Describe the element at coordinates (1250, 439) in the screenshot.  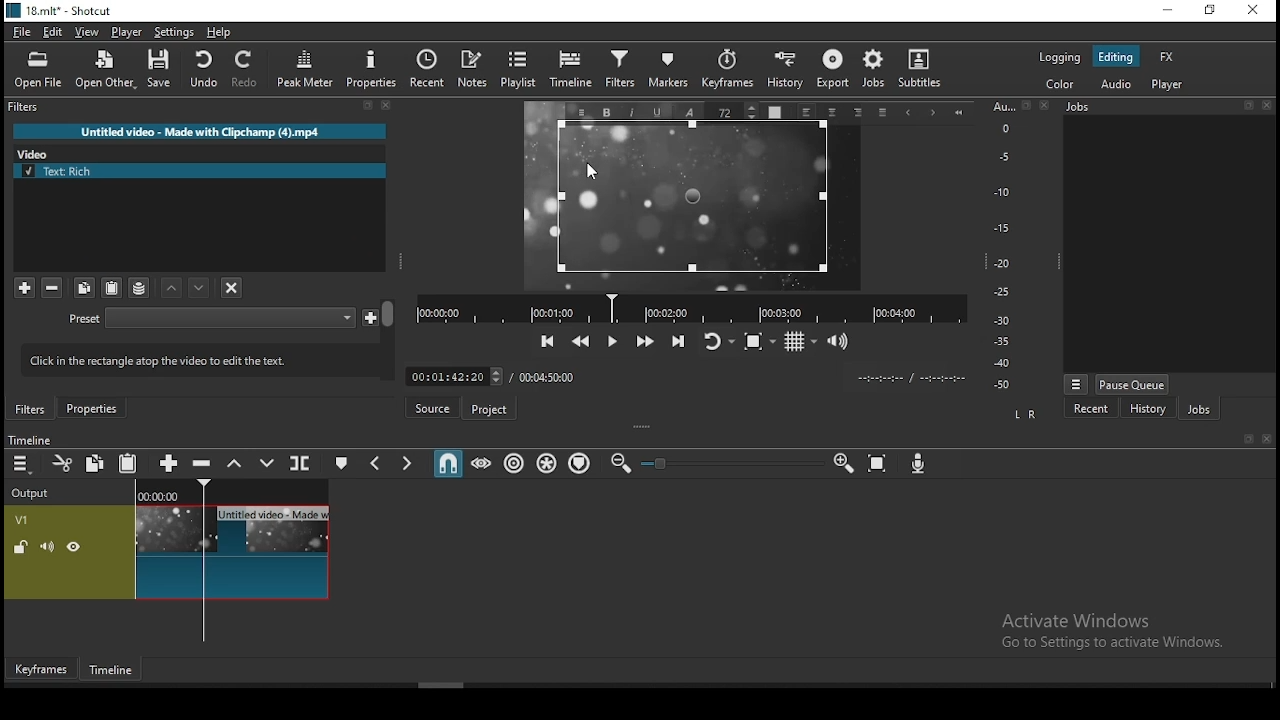
I see `Detach` at that location.